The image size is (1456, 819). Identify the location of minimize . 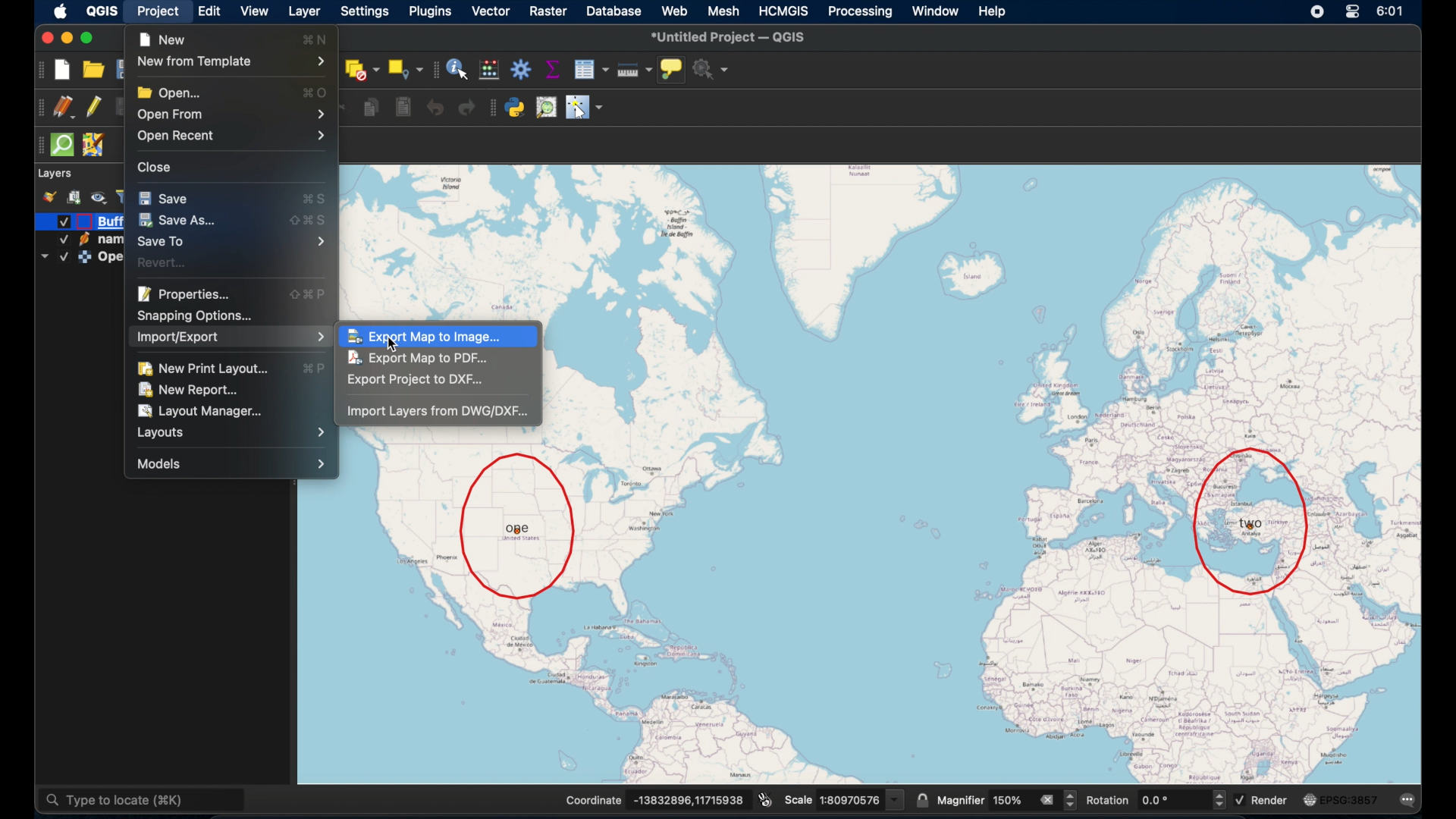
(67, 36).